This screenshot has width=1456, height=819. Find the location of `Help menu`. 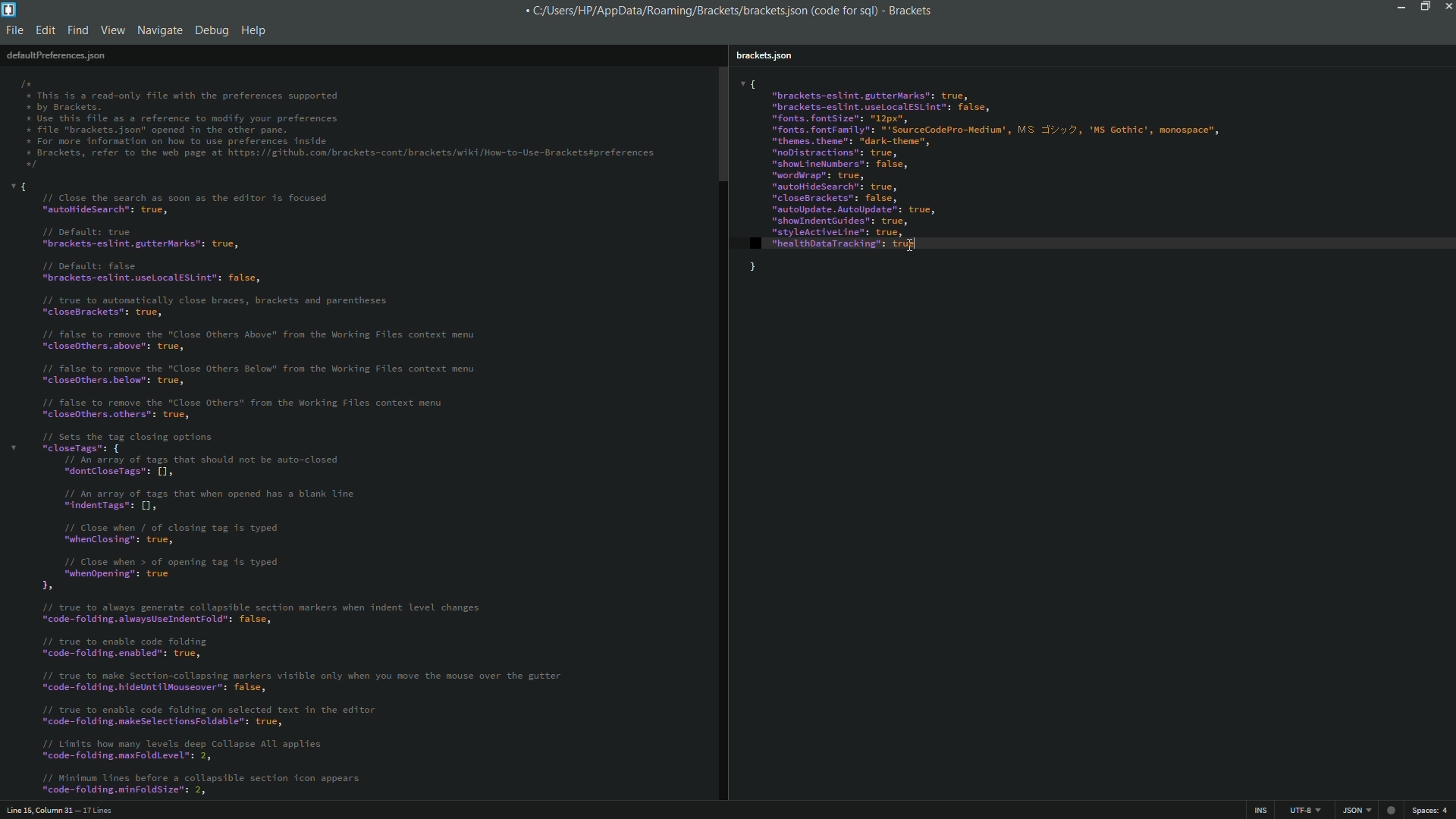

Help menu is located at coordinates (256, 30).